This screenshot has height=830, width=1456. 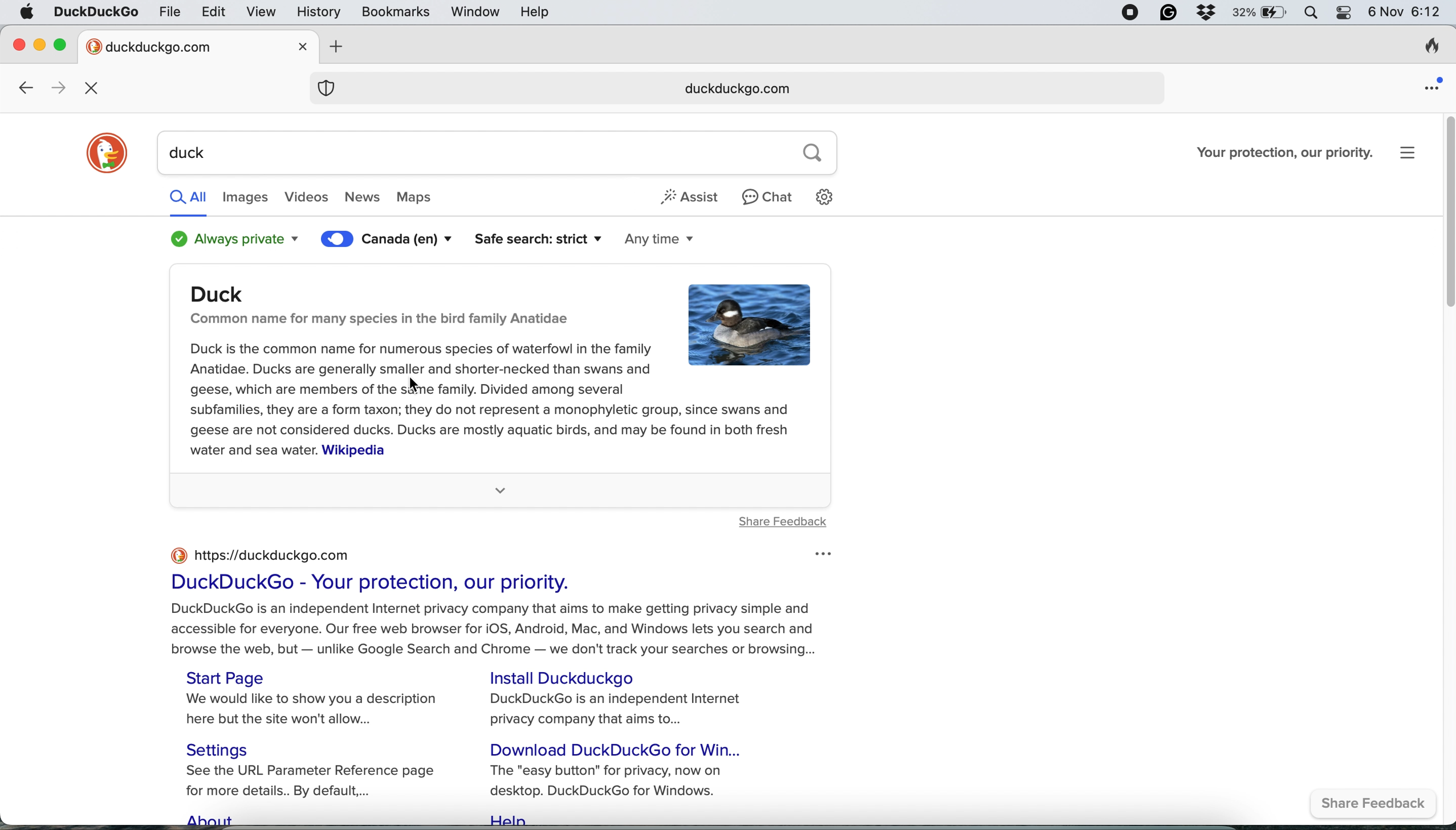 I want to click on minimise, so click(x=39, y=43).